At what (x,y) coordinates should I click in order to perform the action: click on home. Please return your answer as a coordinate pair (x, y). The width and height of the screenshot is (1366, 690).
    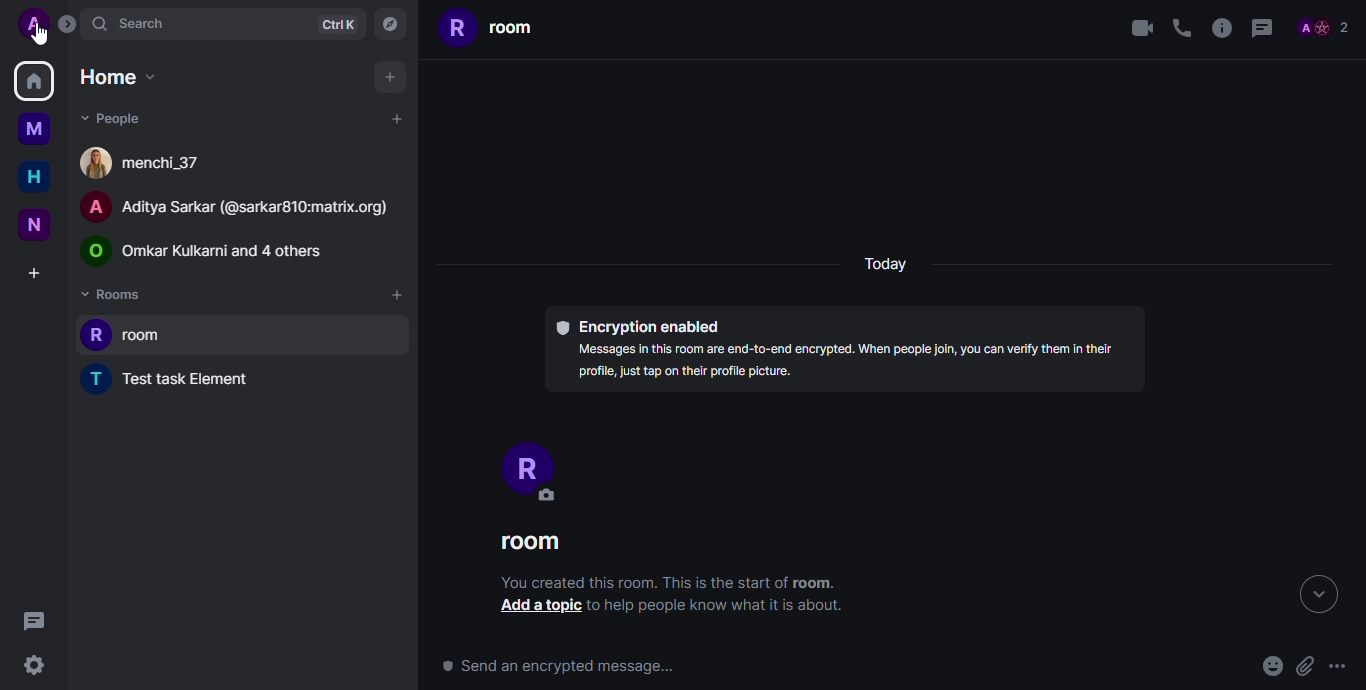
    Looking at the image, I should click on (121, 79).